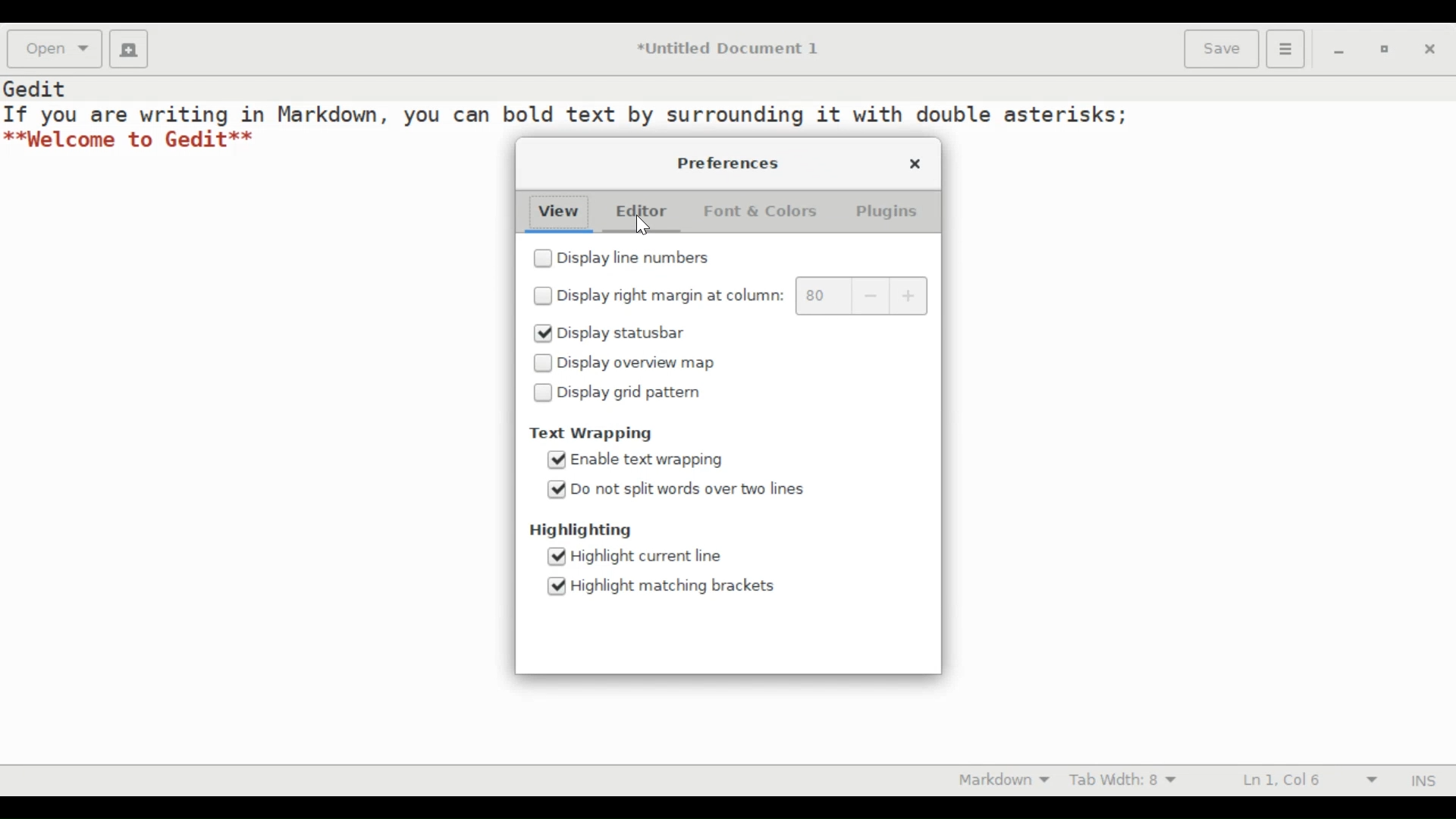 The height and width of the screenshot is (819, 1456). I want to click on Highlight mode otion, so click(1000, 779).